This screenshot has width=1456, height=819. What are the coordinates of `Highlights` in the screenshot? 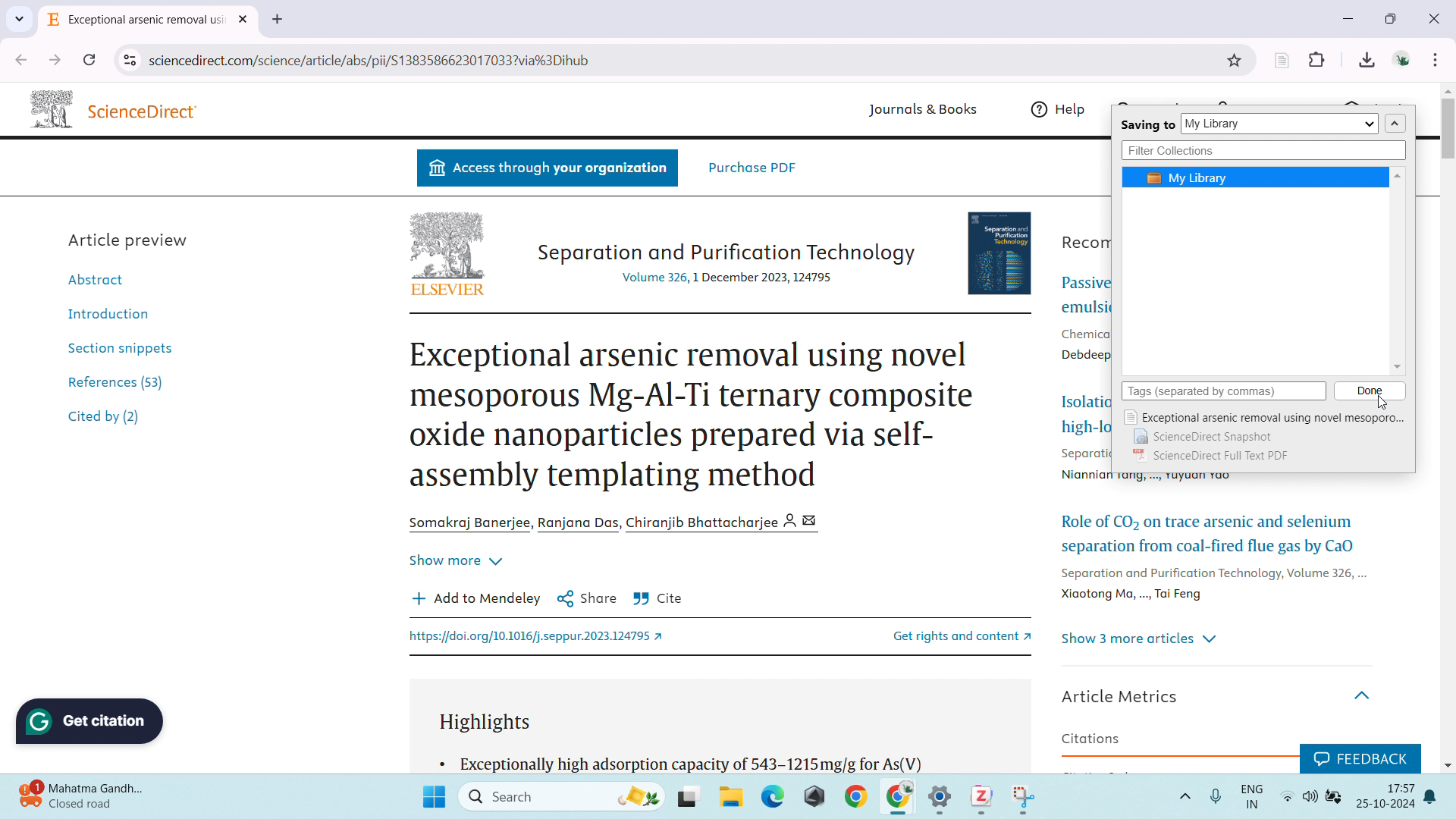 It's located at (492, 723).